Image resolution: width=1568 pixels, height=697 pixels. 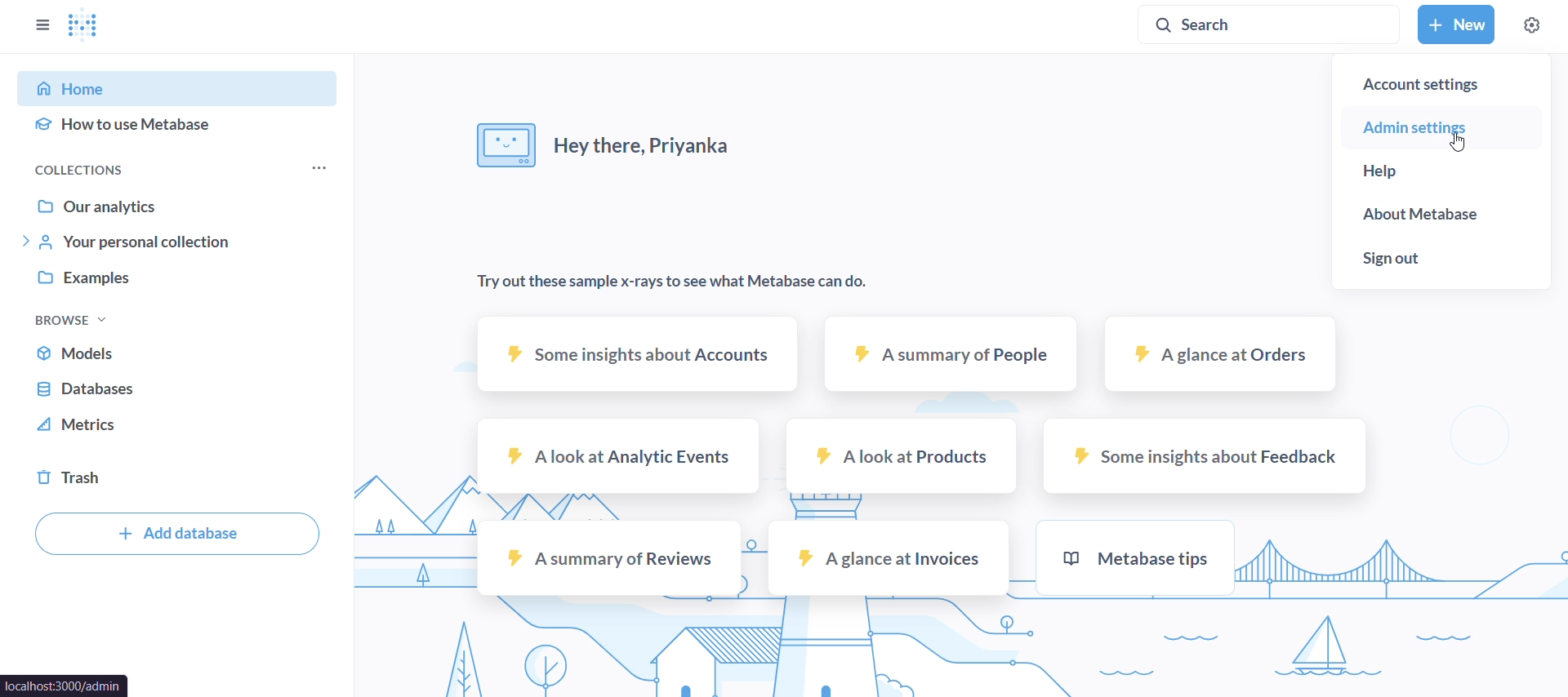 I want to click on our analytics, so click(x=181, y=206).